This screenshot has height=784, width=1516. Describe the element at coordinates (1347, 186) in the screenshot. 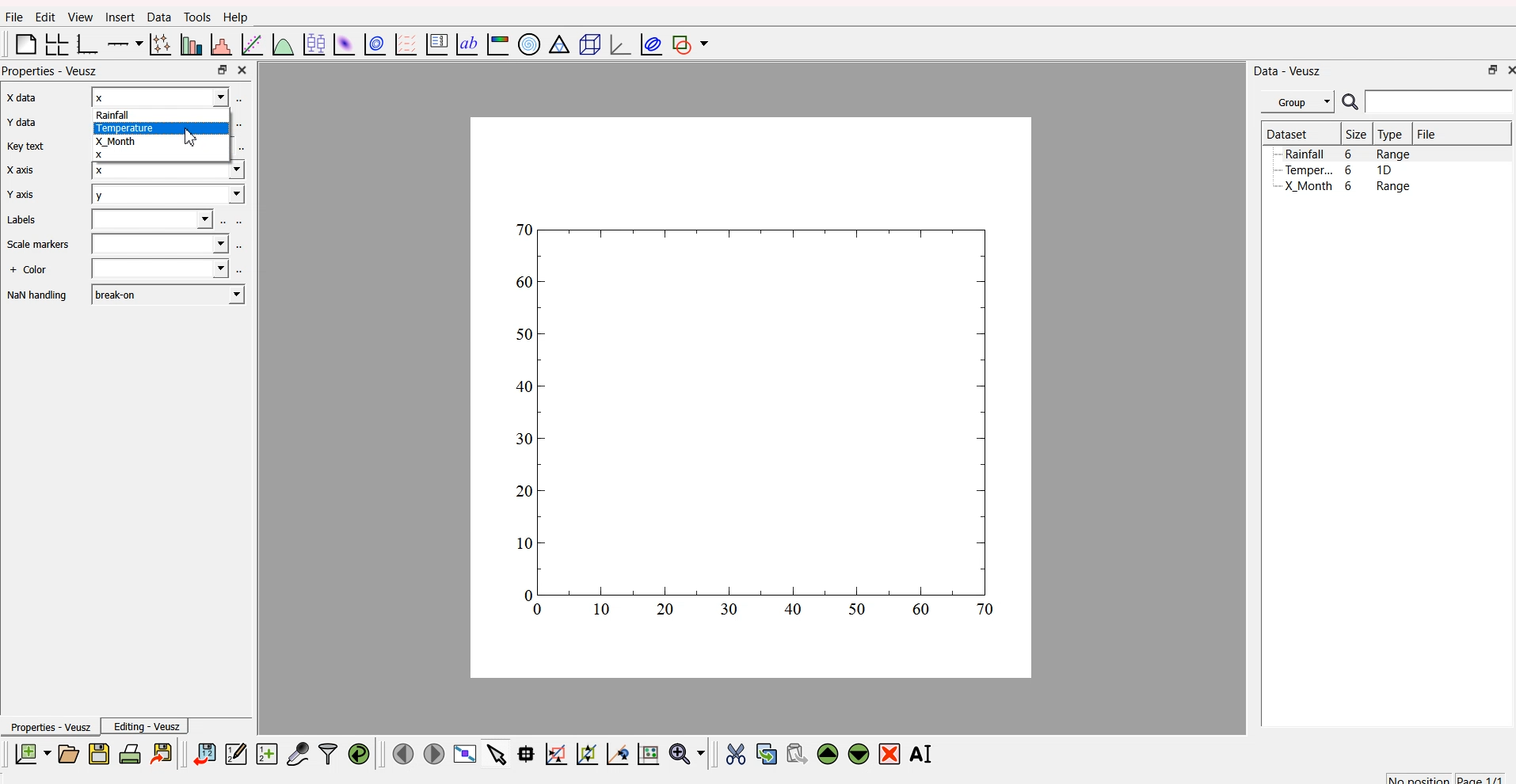

I see `X Month 6 Range` at that location.